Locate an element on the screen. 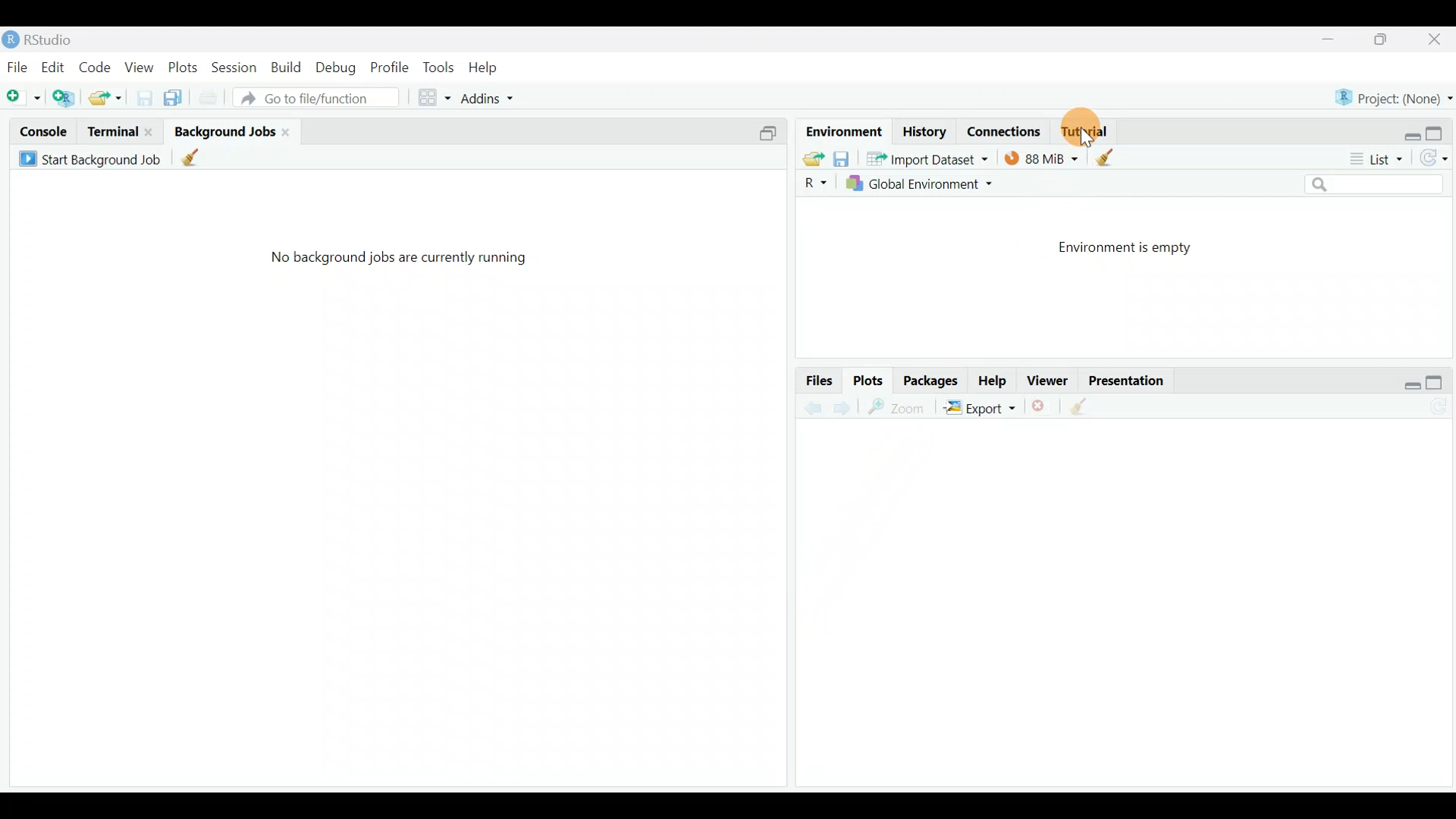 Image resolution: width=1456 pixels, height=819 pixels. Terminal is located at coordinates (111, 130).